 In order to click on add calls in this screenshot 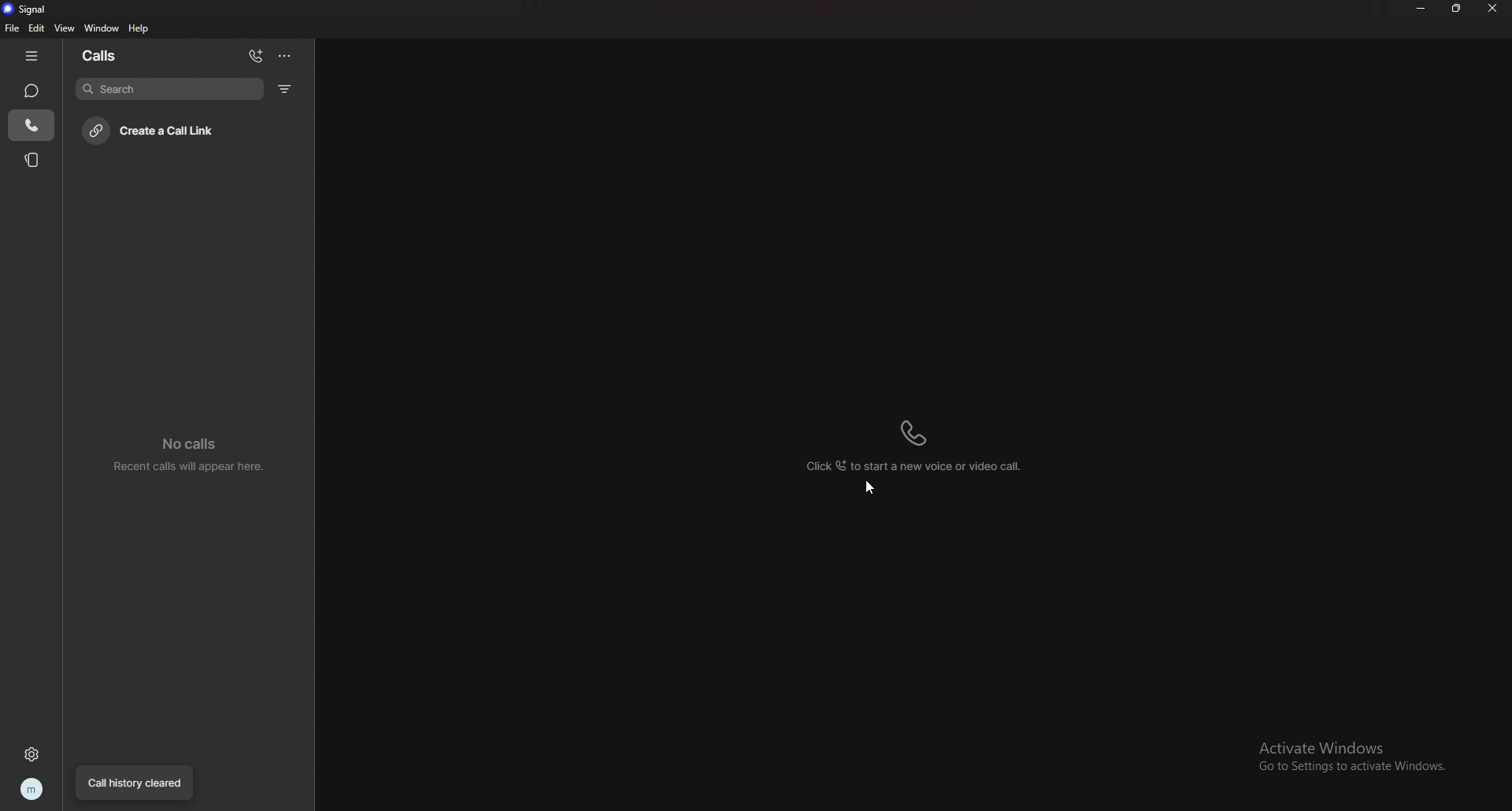, I will do `click(256, 55)`.